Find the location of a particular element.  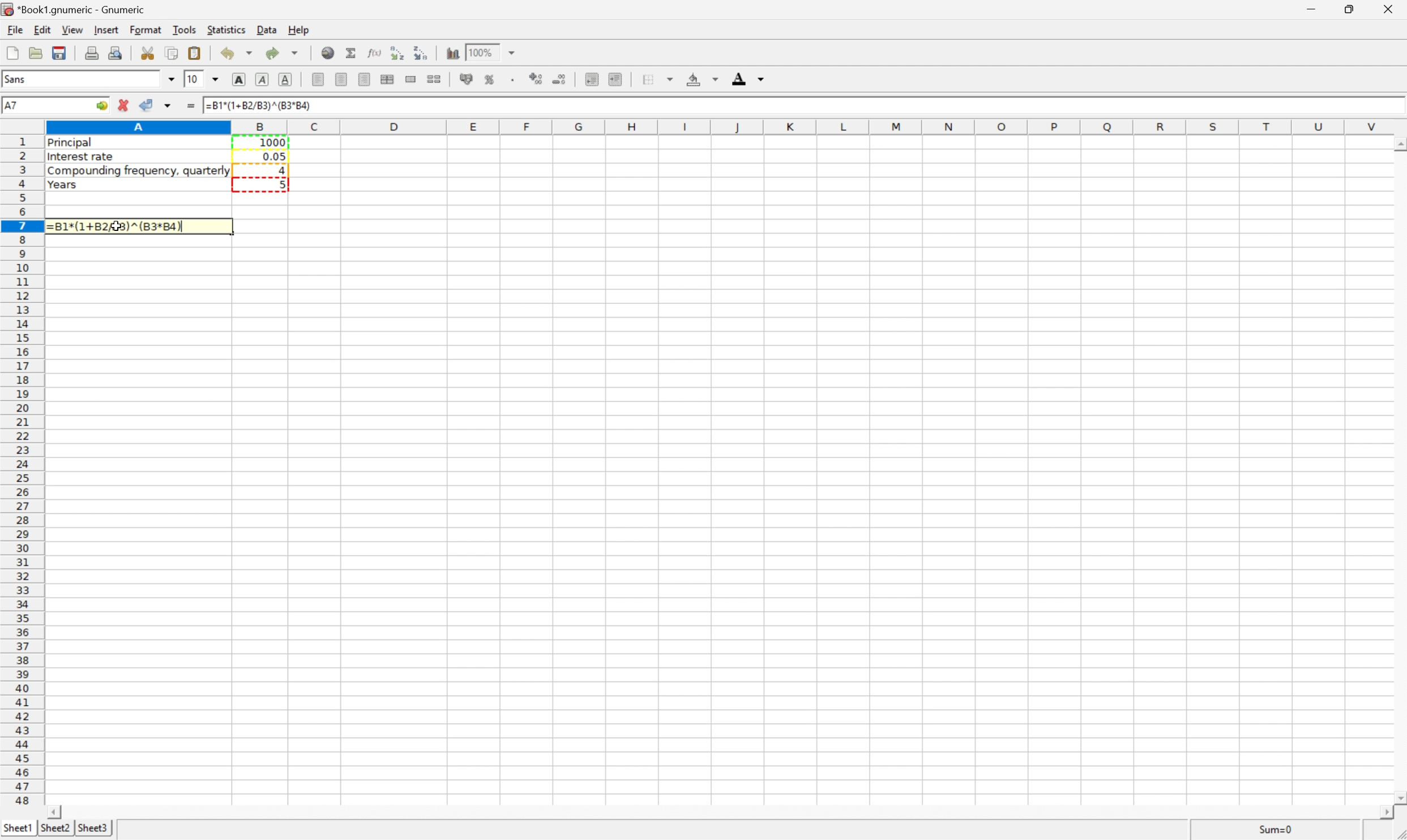

save current workbook is located at coordinates (62, 53).